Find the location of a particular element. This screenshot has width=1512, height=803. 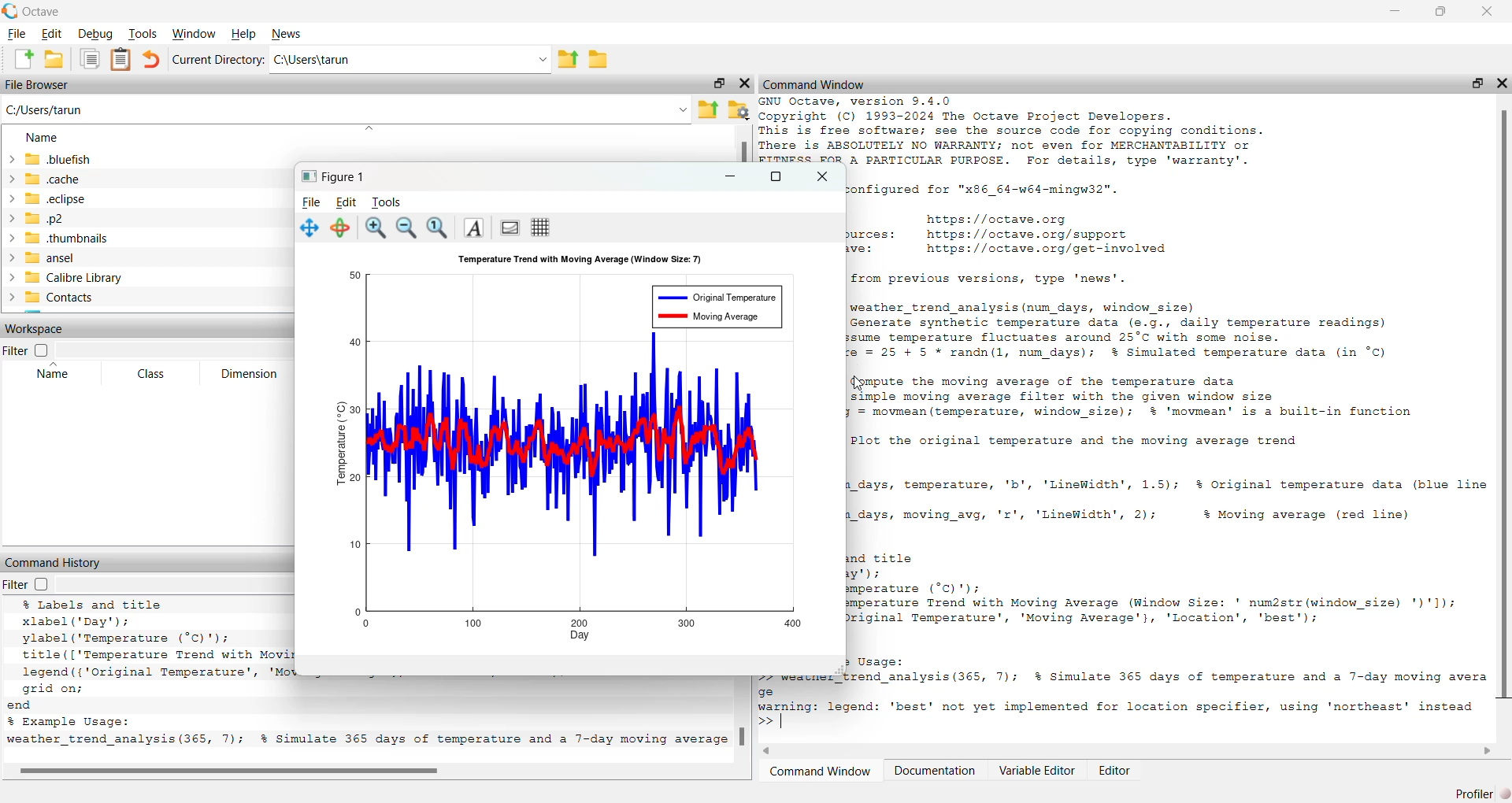

Workspace is located at coordinates (38, 328).